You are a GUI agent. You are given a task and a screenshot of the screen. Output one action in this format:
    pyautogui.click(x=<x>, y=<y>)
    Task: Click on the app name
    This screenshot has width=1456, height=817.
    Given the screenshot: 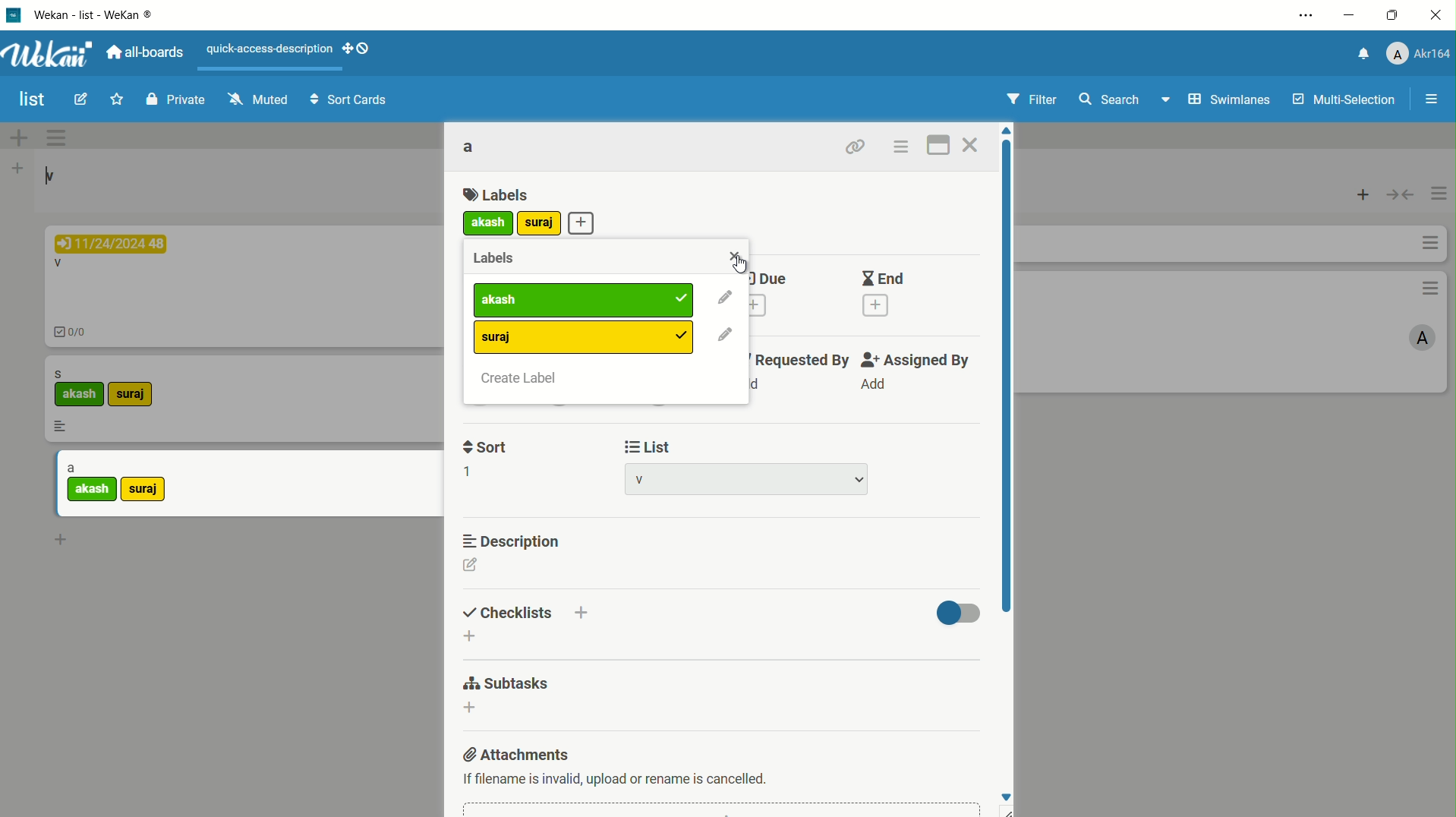 What is the action you would take?
    pyautogui.click(x=101, y=16)
    